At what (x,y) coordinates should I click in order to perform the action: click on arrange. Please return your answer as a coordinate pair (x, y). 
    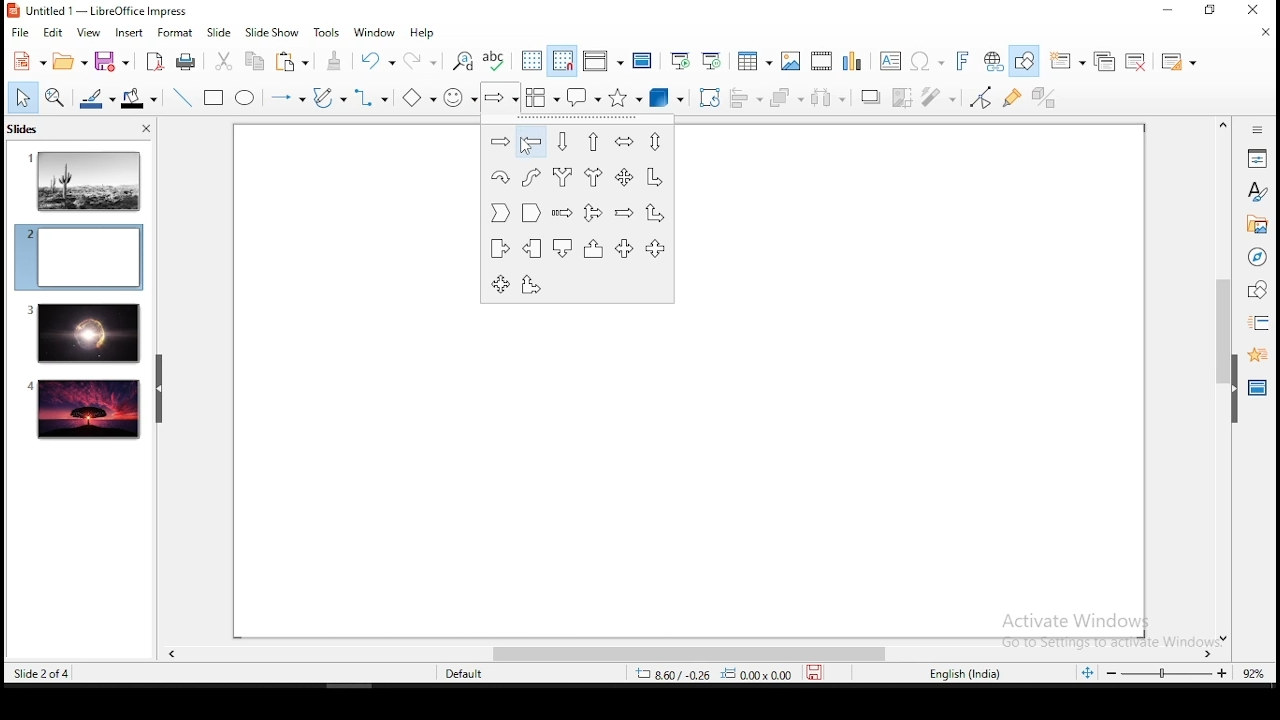
    Looking at the image, I should click on (789, 99).